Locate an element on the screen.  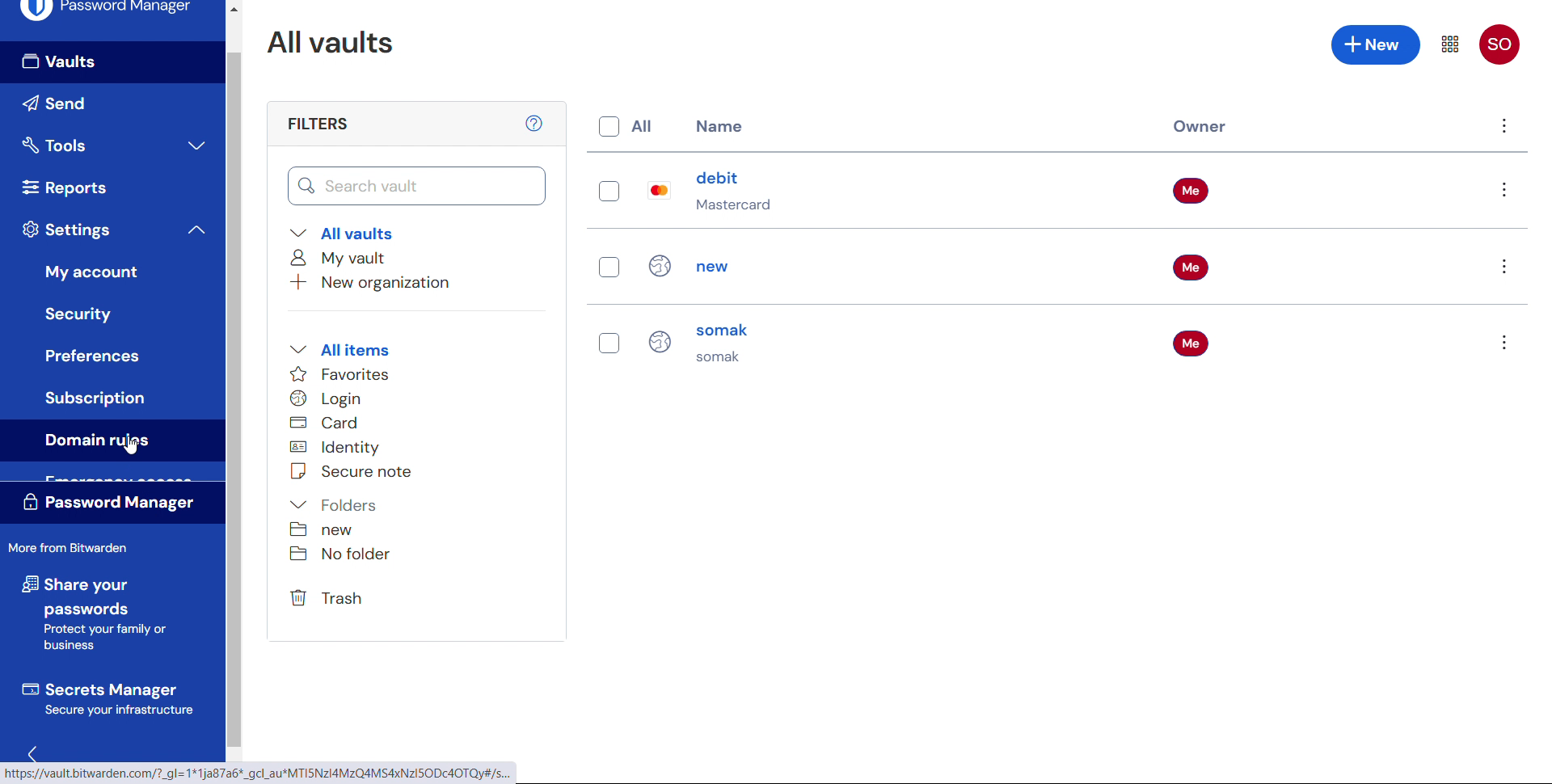
Add new organisation  is located at coordinates (382, 283).